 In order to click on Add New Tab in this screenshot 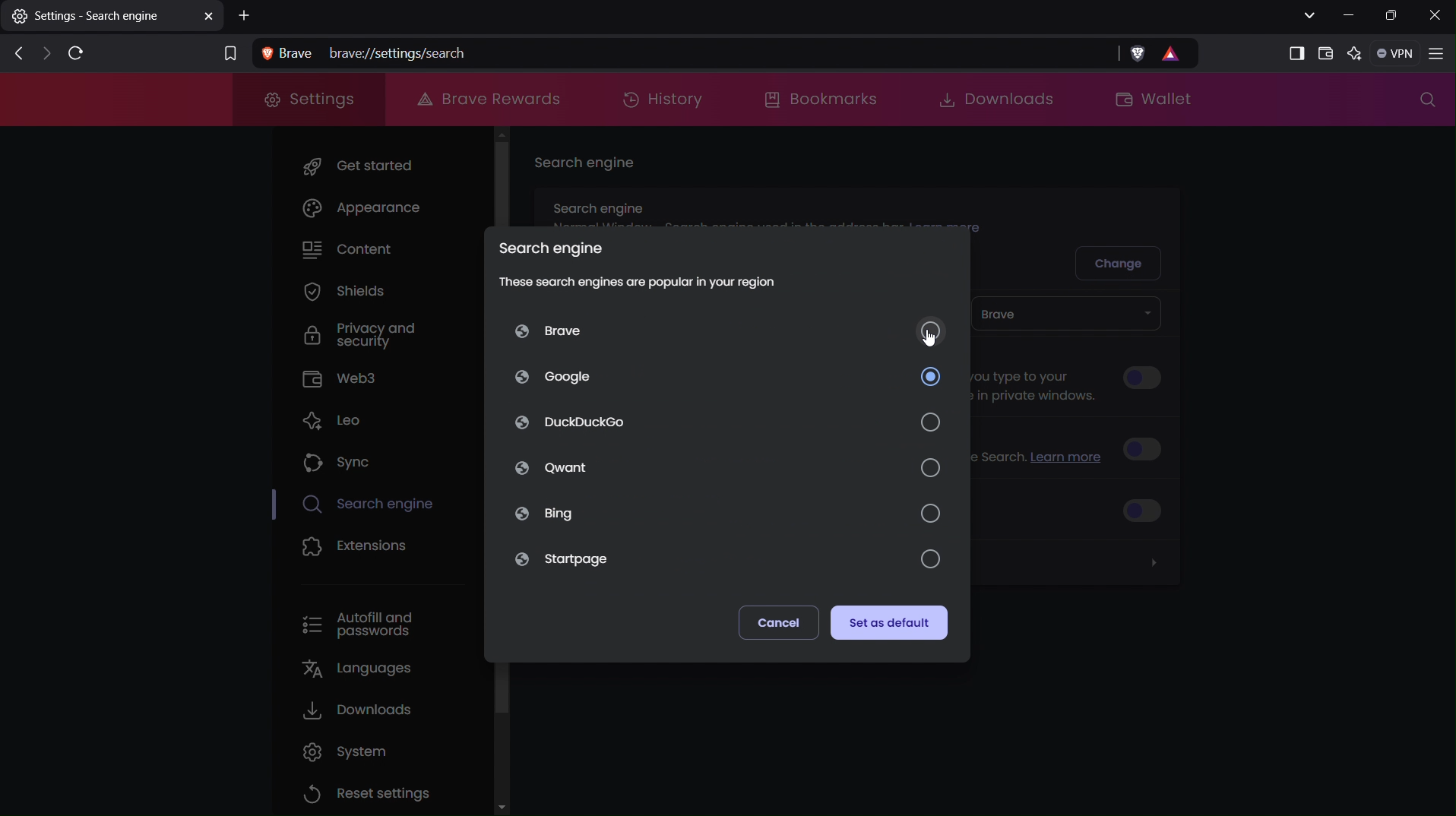, I will do `click(246, 16)`.